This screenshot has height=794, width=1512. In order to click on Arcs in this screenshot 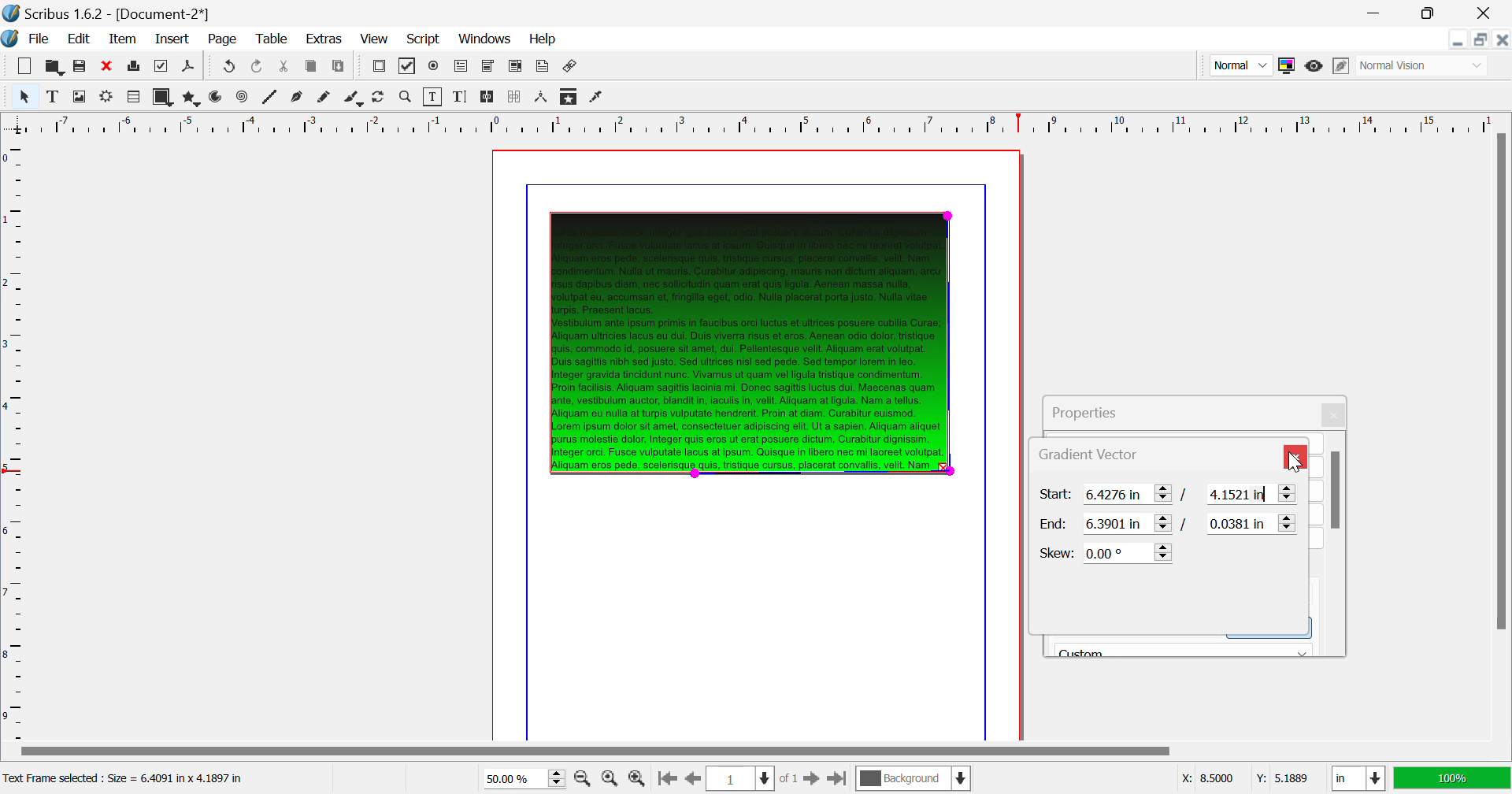, I will do `click(217, 98)`.